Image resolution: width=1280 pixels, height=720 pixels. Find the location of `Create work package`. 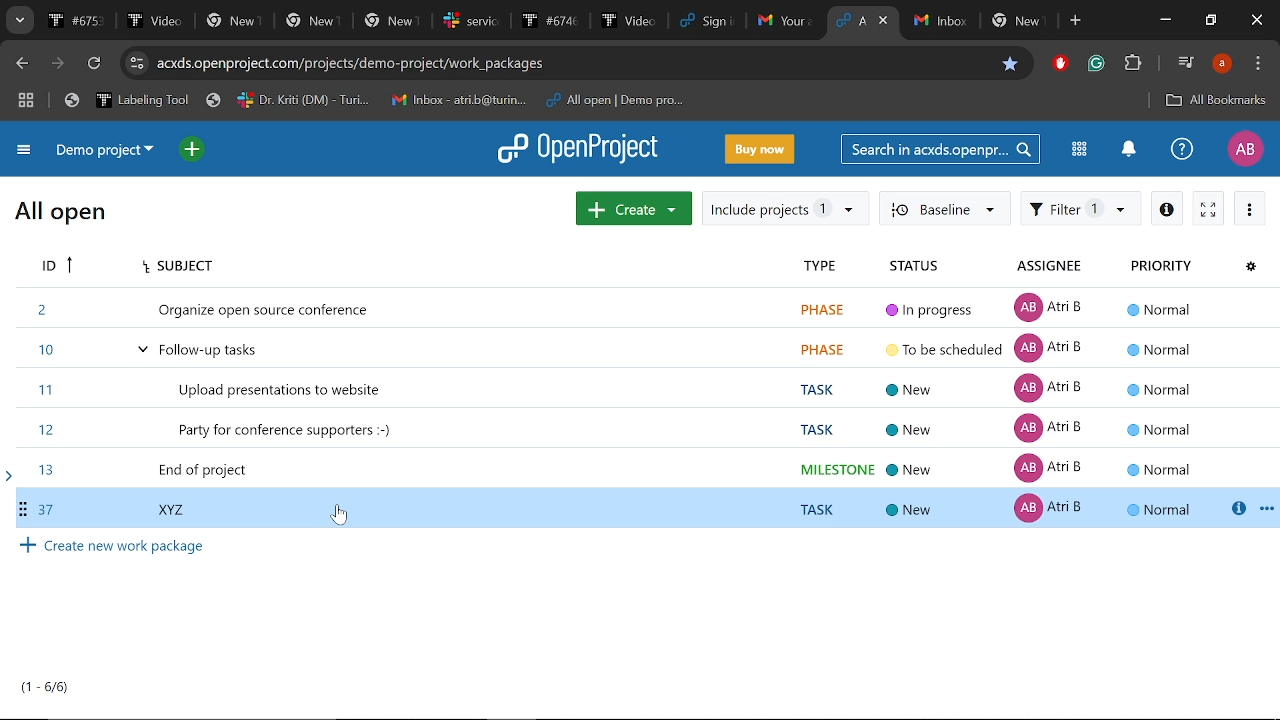

Create work package is located at coordinates (114, 546).